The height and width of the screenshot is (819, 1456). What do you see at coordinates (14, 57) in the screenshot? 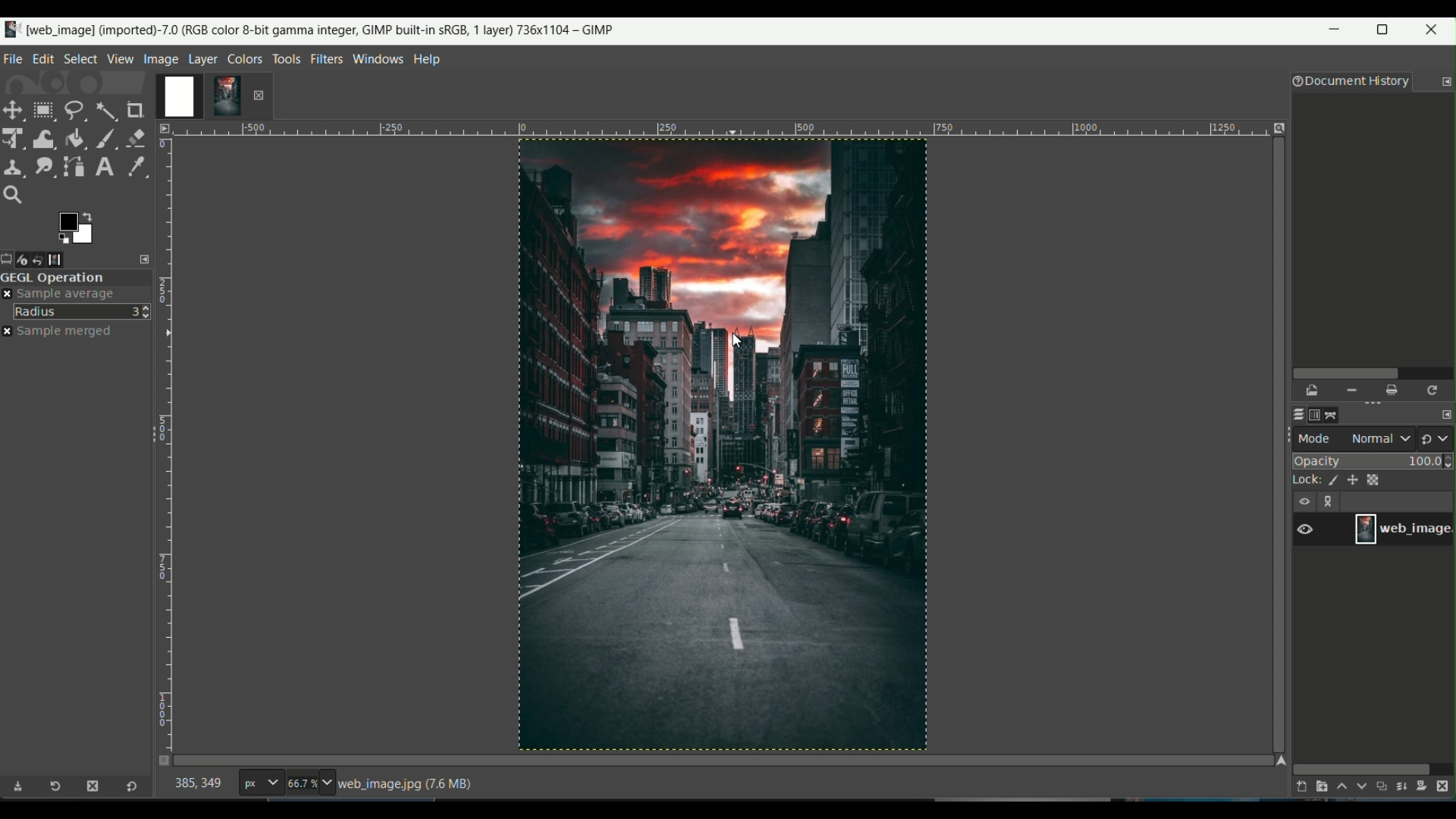
I see `file tab` at bounding box center [14, 57].